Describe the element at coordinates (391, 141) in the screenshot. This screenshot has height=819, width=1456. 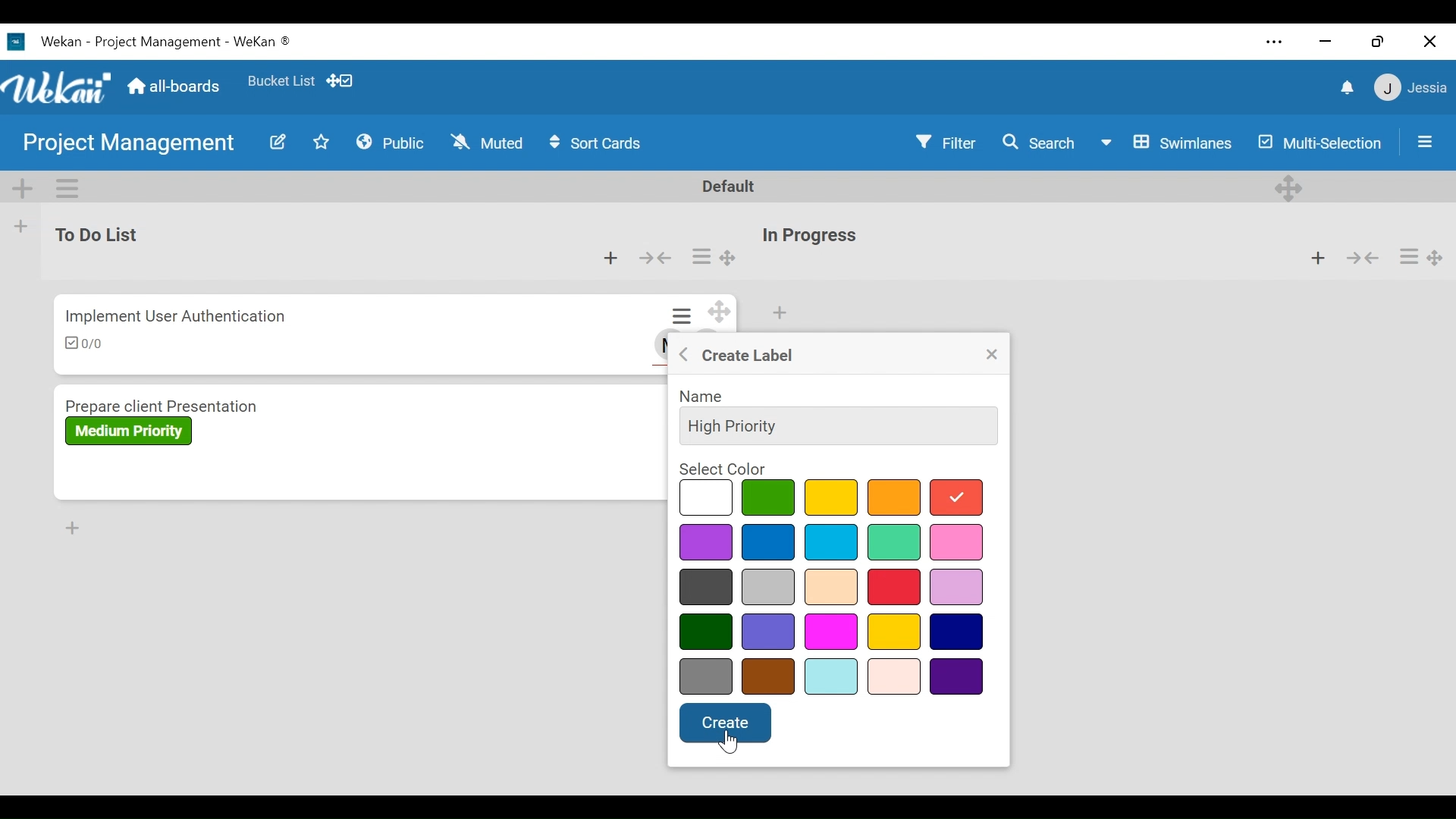
I see `Public` at that location.